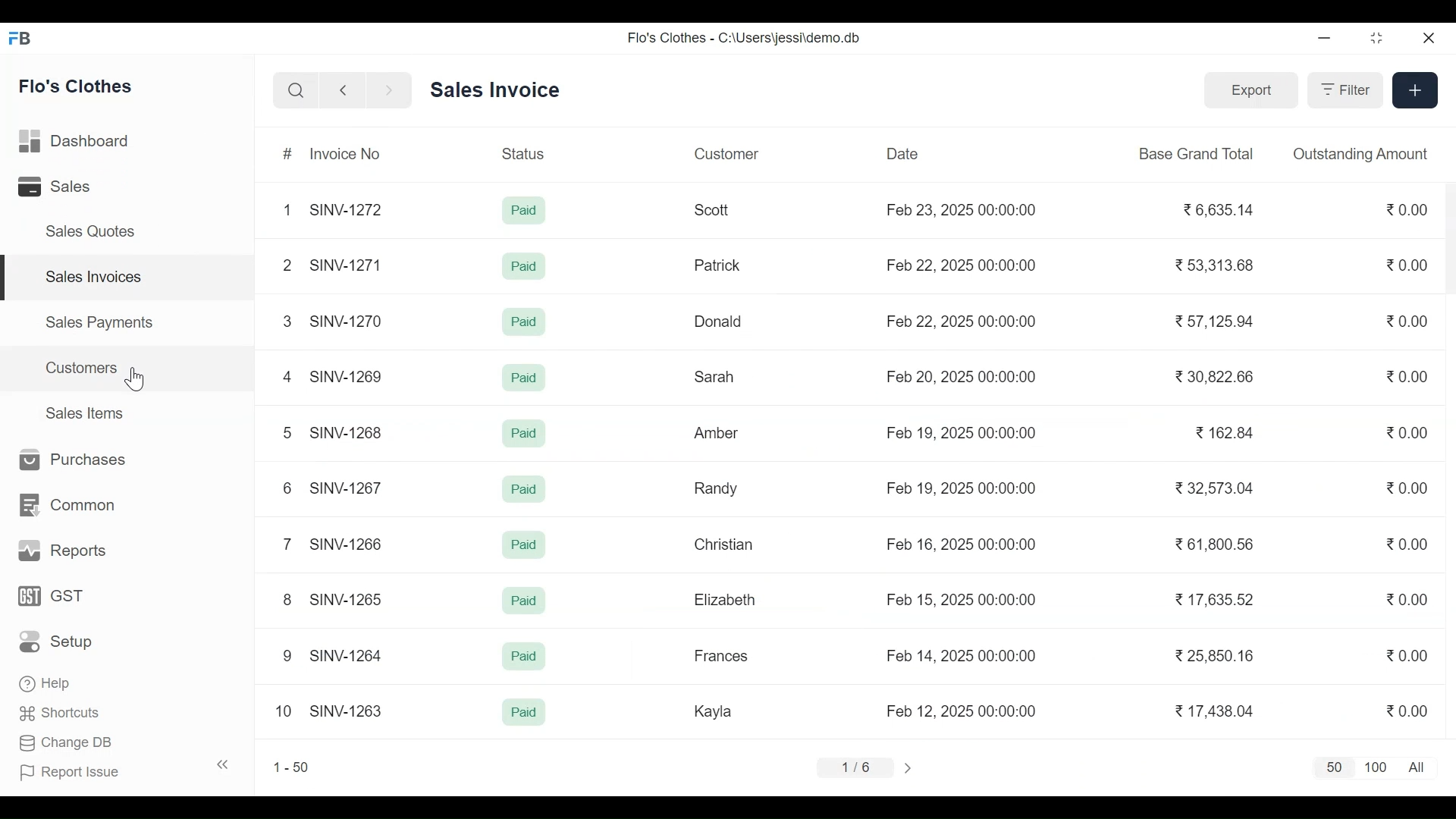 This screenshot has width=1456, height=819. What do you see at coordinates (344, 152) in the screenshot?
I see `Invoice No` at bounding box center [344, 152].